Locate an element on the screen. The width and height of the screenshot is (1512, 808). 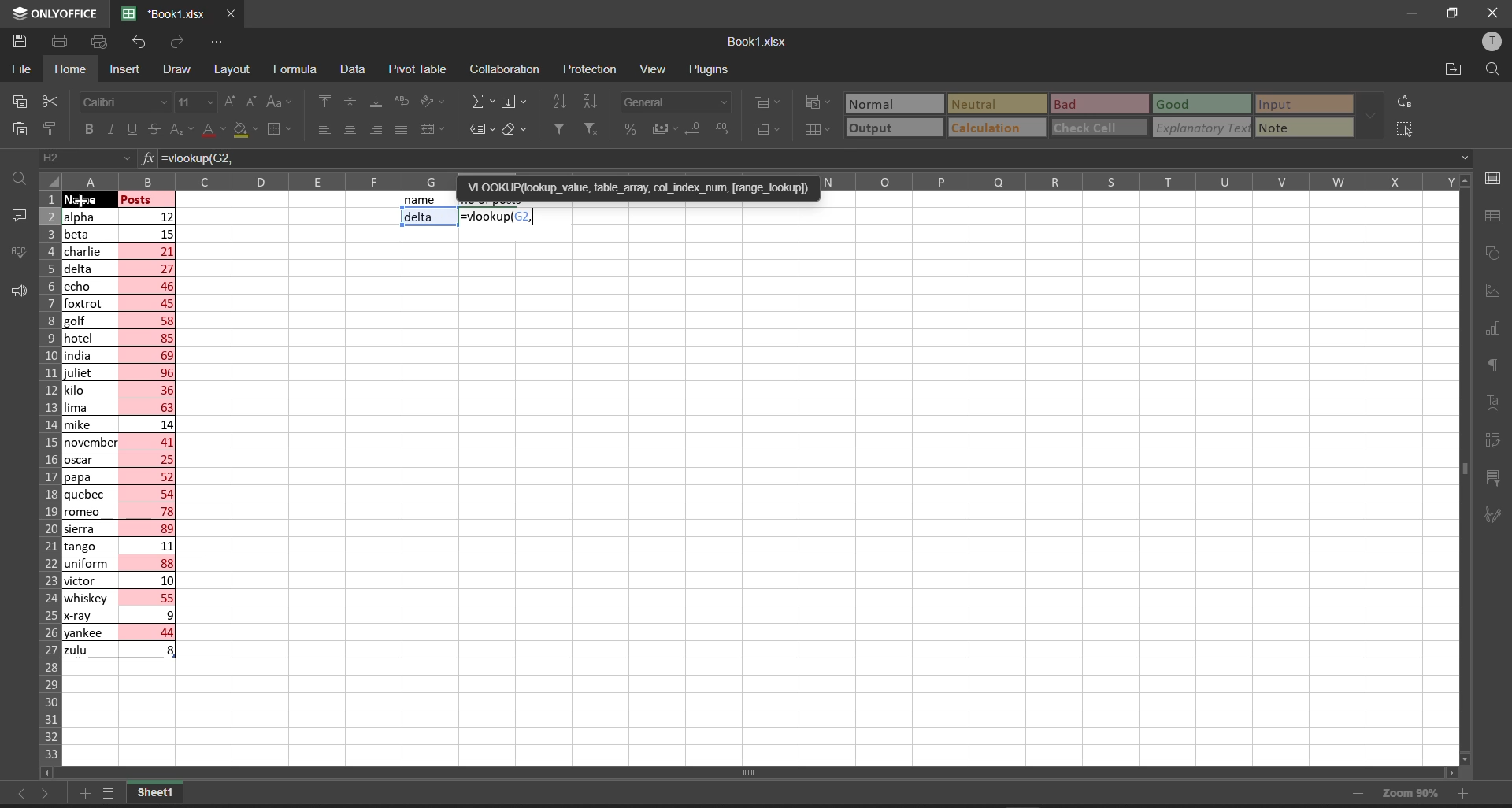
=vlookup(G2, is located at coordinates (499, 217).